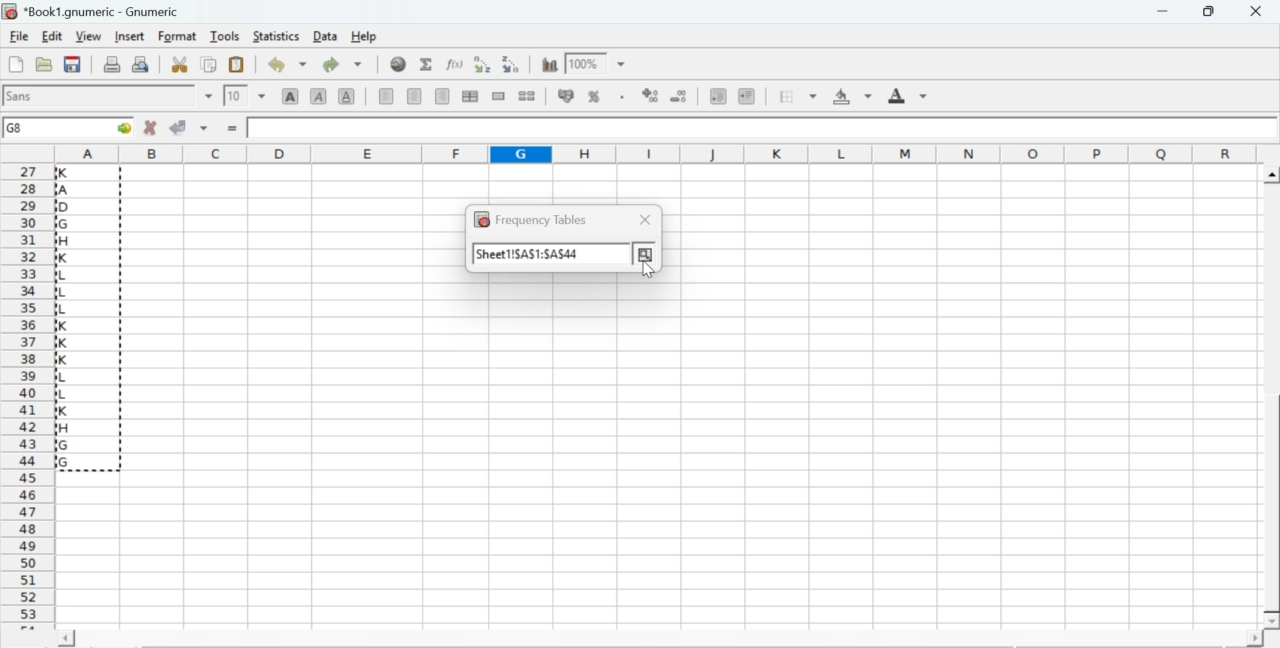 The width and height of the screenshot is (1280, 648). I want to click on application name, so click(94, 9).